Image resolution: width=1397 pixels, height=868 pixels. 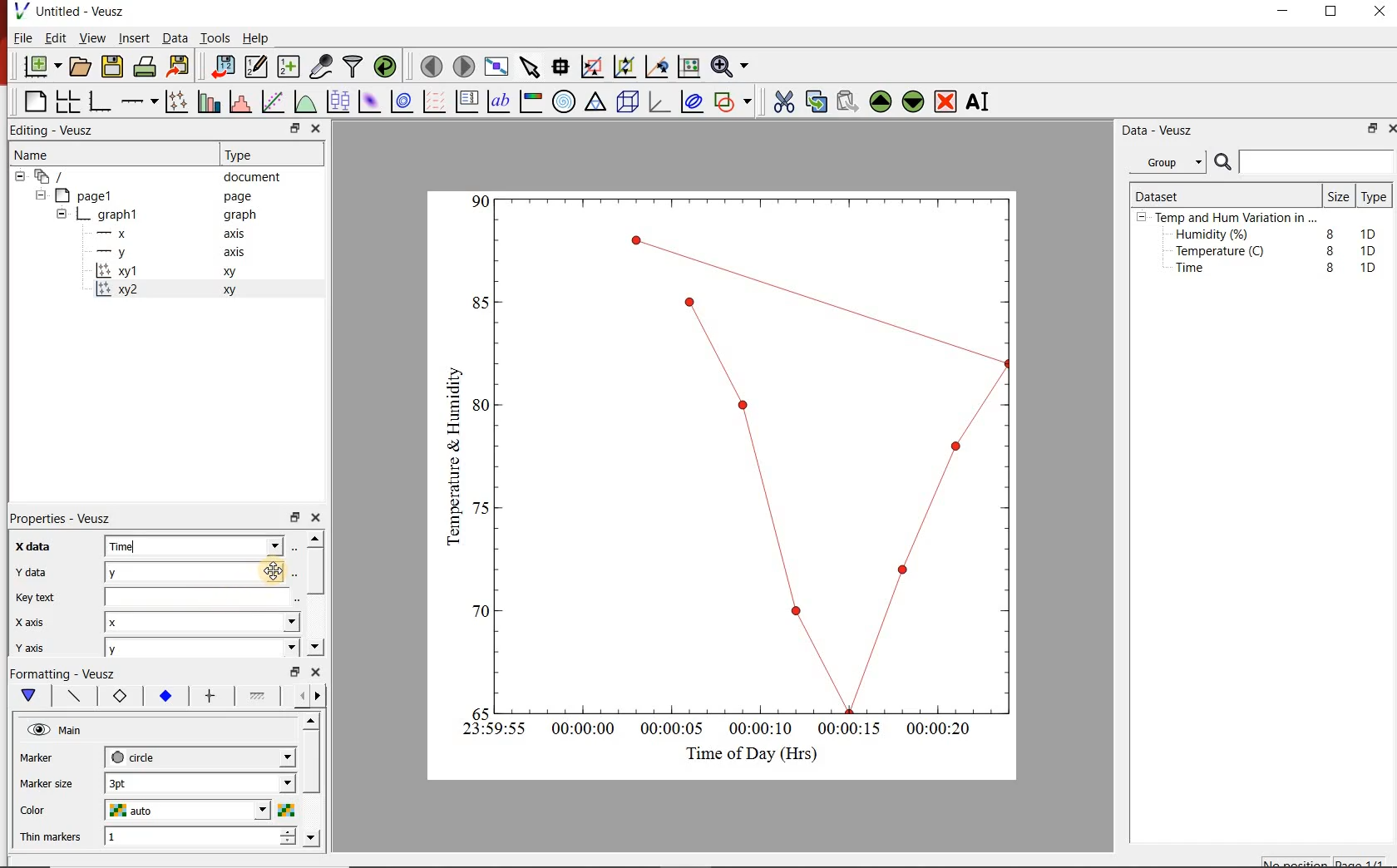 What do you see at coordinates (292, 672) in the screenshot?
I see `restore down` at bounding box center [292, 672].